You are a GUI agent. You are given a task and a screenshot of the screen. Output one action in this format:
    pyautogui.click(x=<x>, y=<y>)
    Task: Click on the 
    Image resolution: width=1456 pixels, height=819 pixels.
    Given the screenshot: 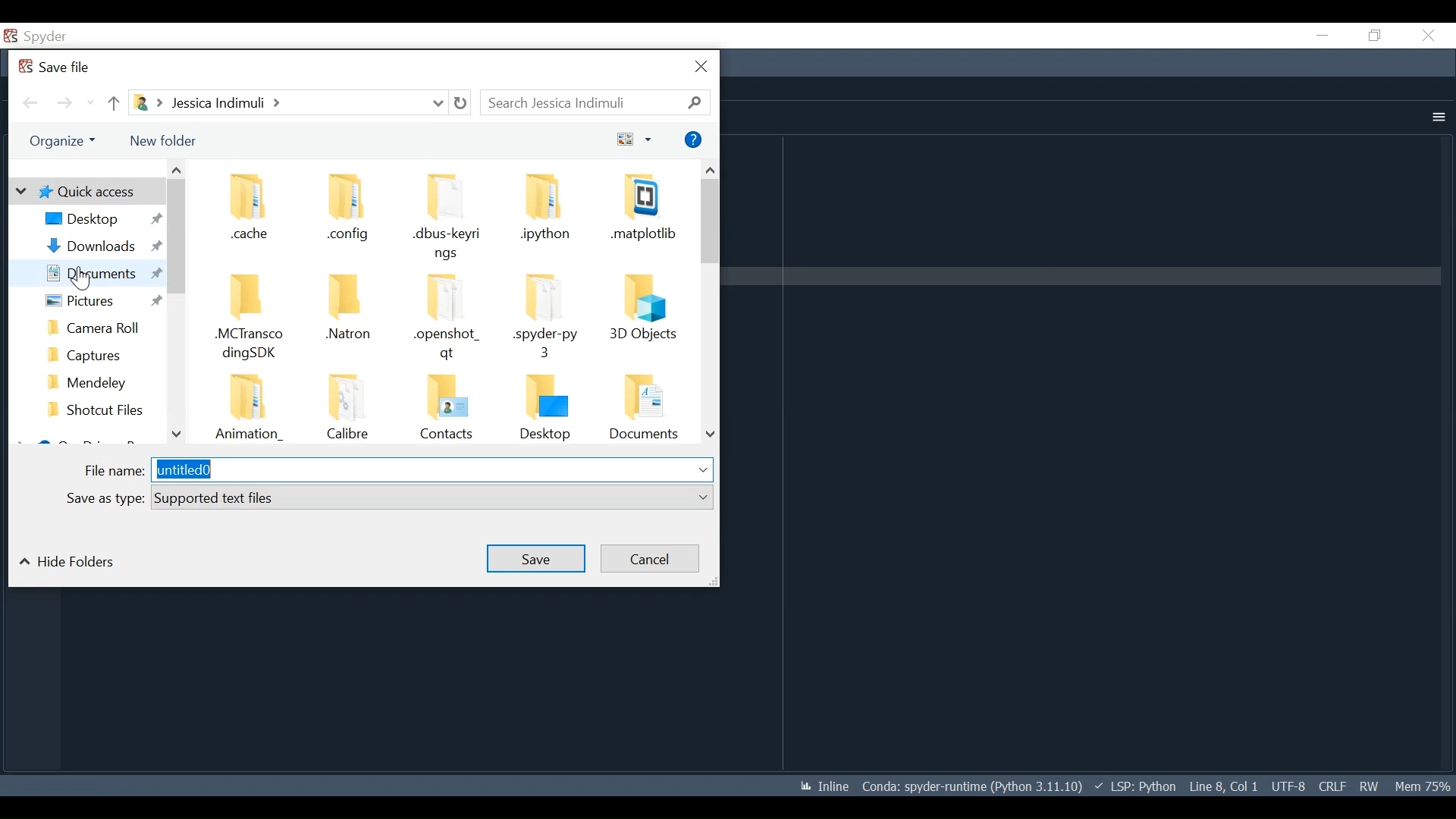 What is the action you would take?
    pyautogui.click(x=343, y=210)
    